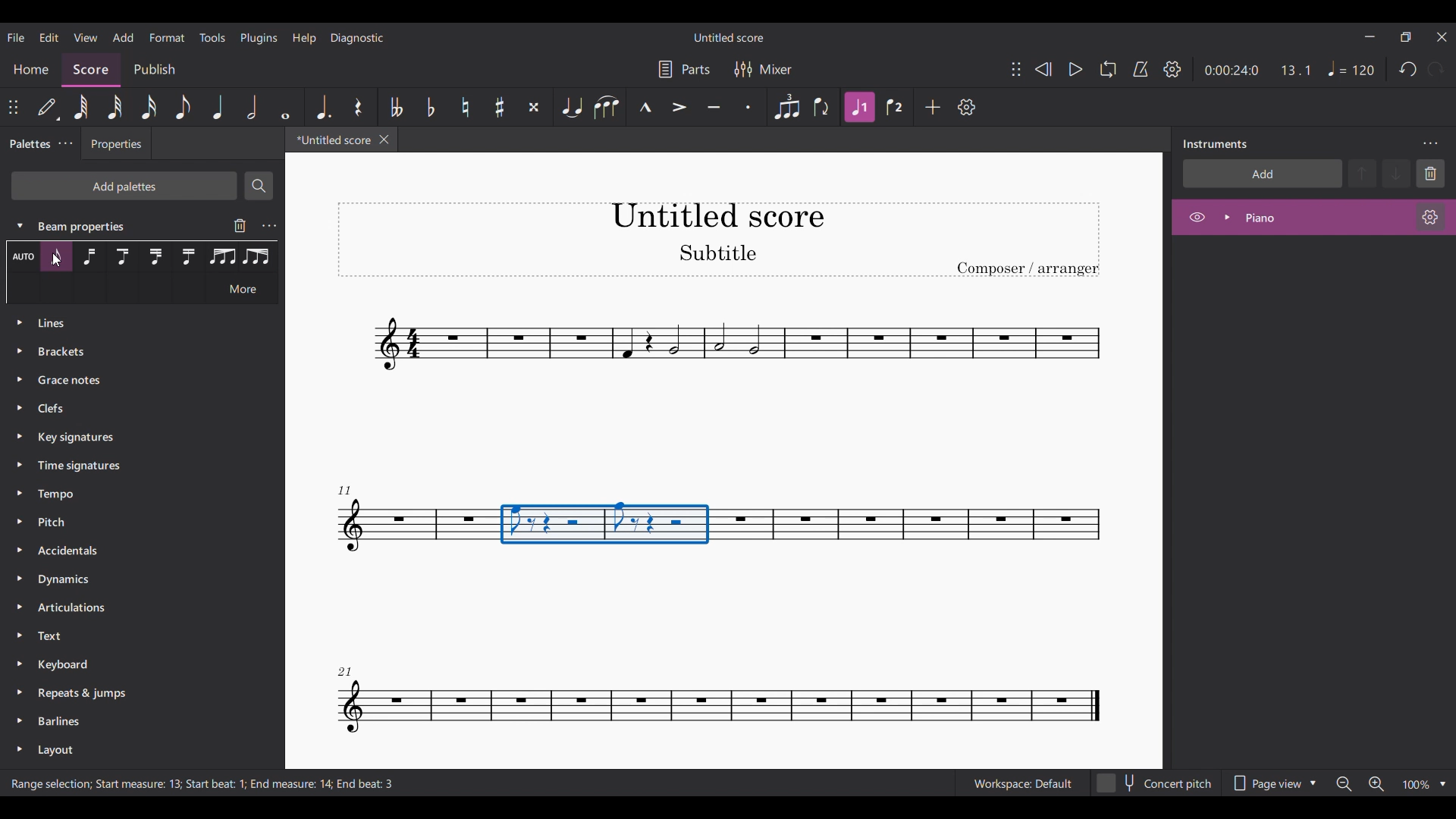 The image size is (1456, 819). Describe the element at coordinates (1227, 217) in the screenshot. I see `Expand` at that location.